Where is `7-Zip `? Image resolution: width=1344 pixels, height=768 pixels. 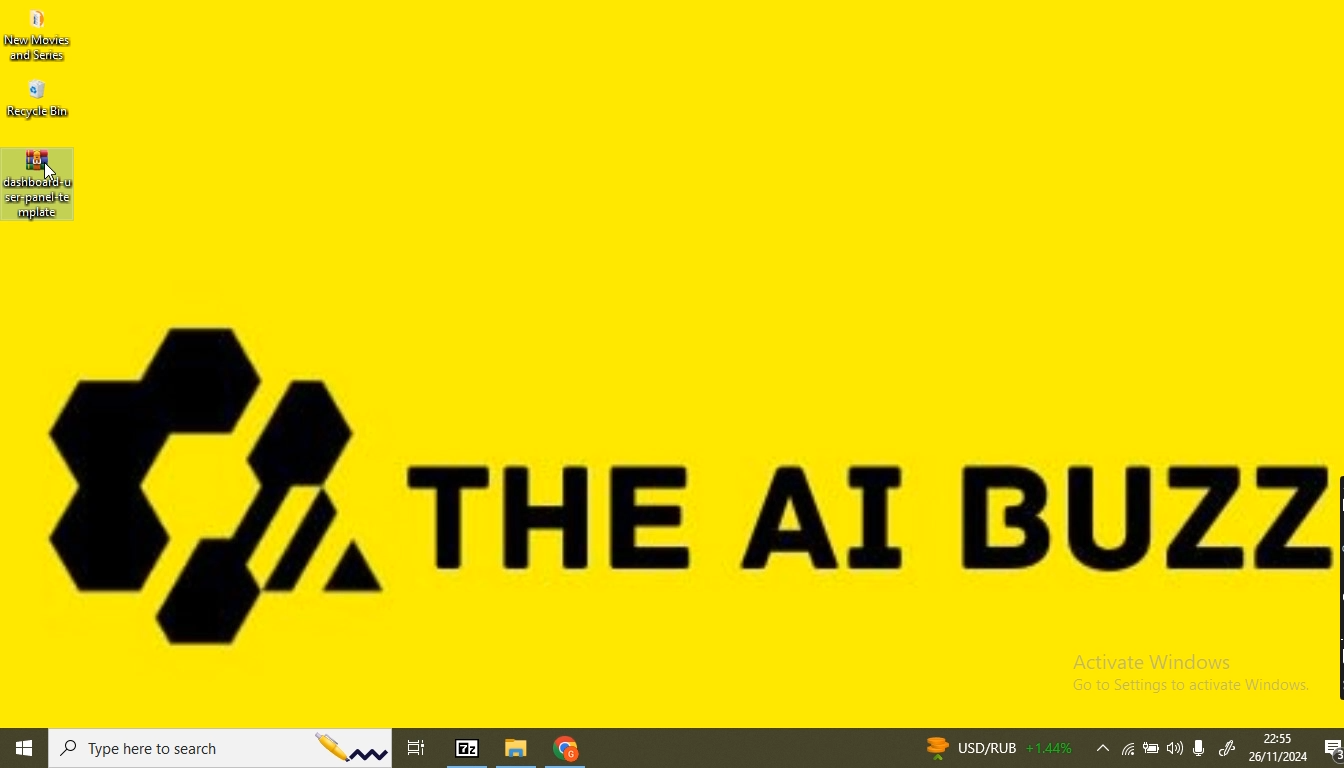 7-Zip  is located at coordinates (469, 747).